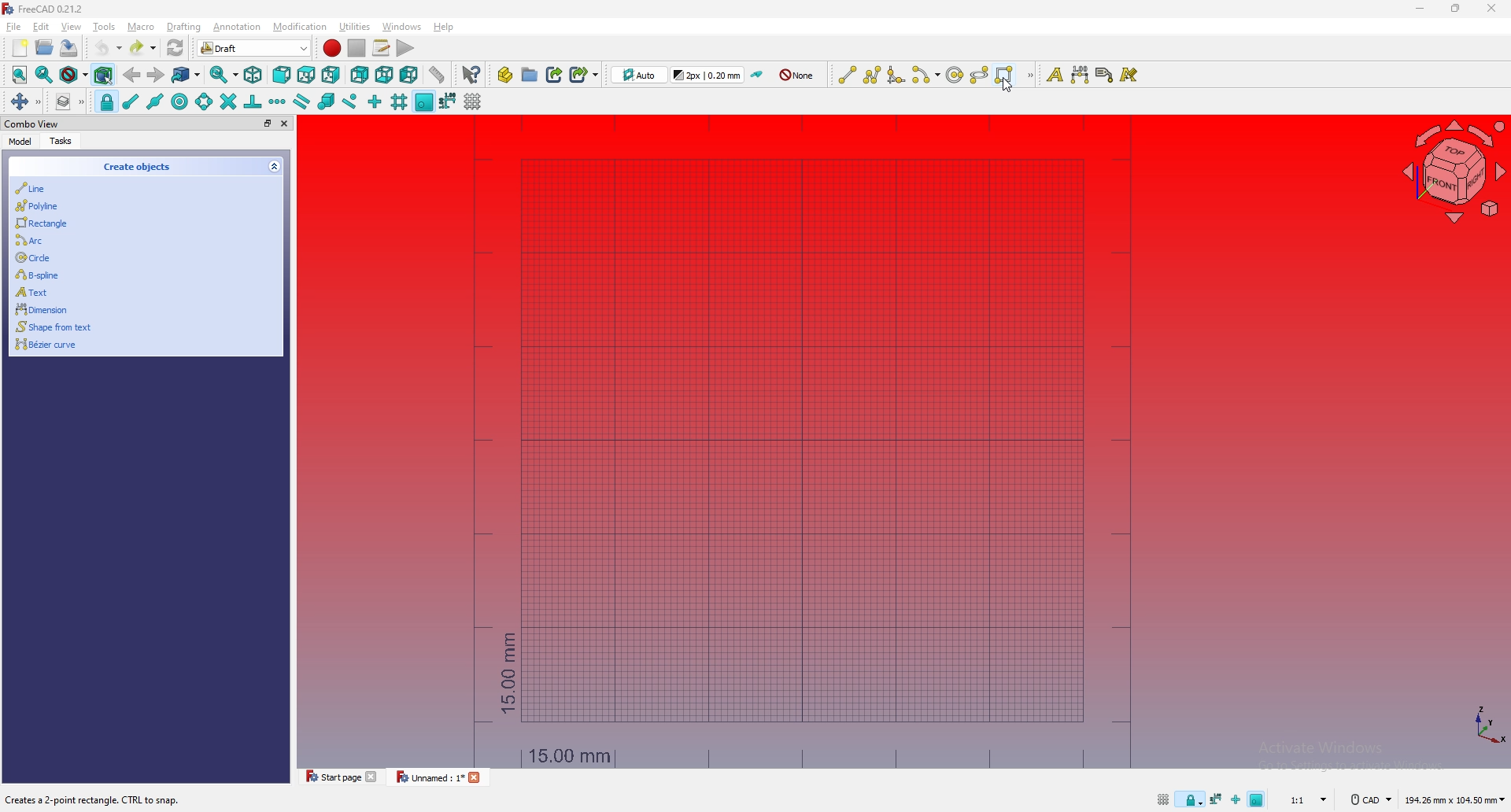 This screenshot has height=812, width=1511. What do you see at coordinates (139, 346) in the screenshot?
I see `bezier curve` at bounding box center [139, 346].